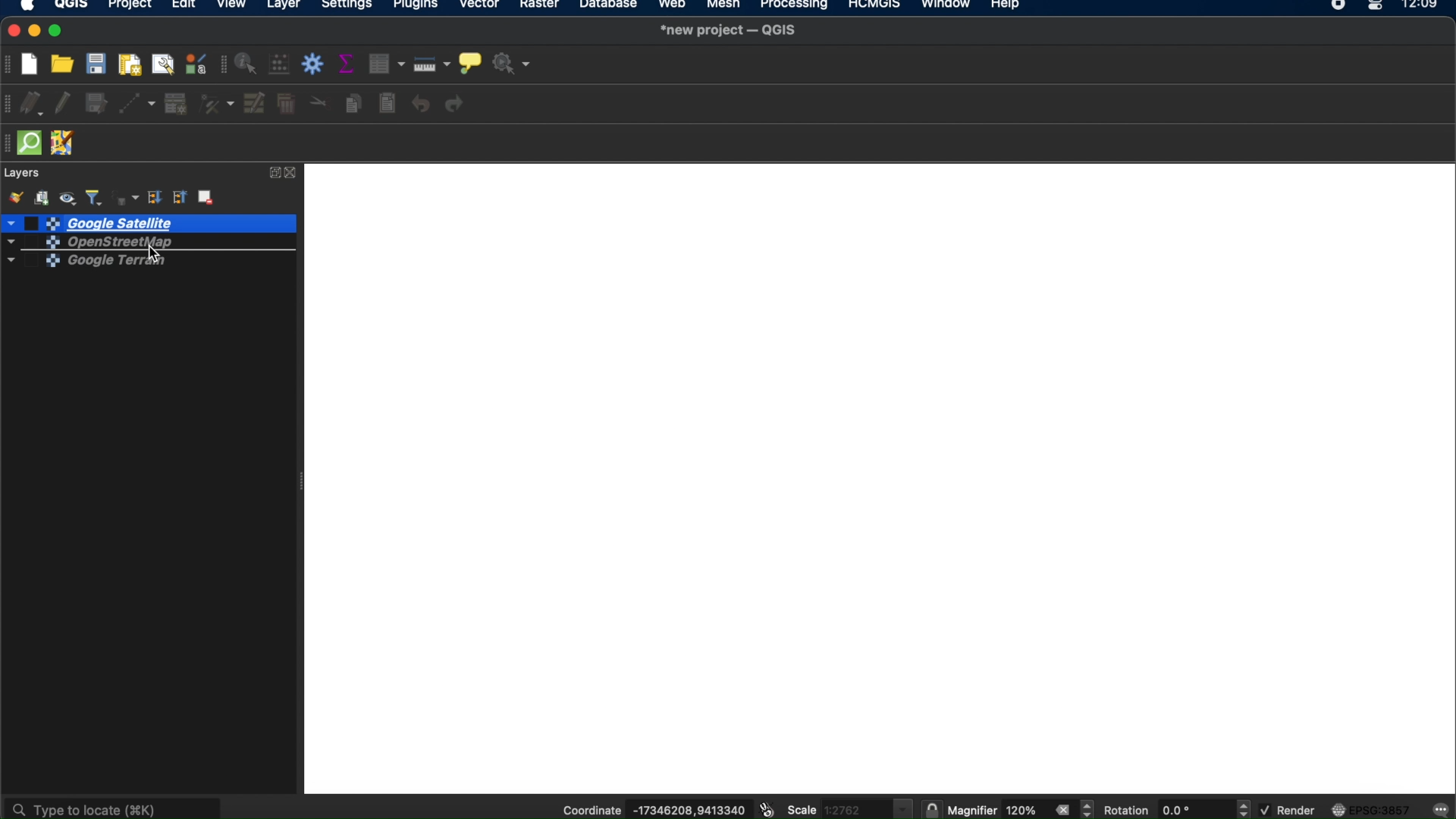 The height and width of the screenshot is (819, 1456). I want to click on show summary statistics, so click(349, 64).